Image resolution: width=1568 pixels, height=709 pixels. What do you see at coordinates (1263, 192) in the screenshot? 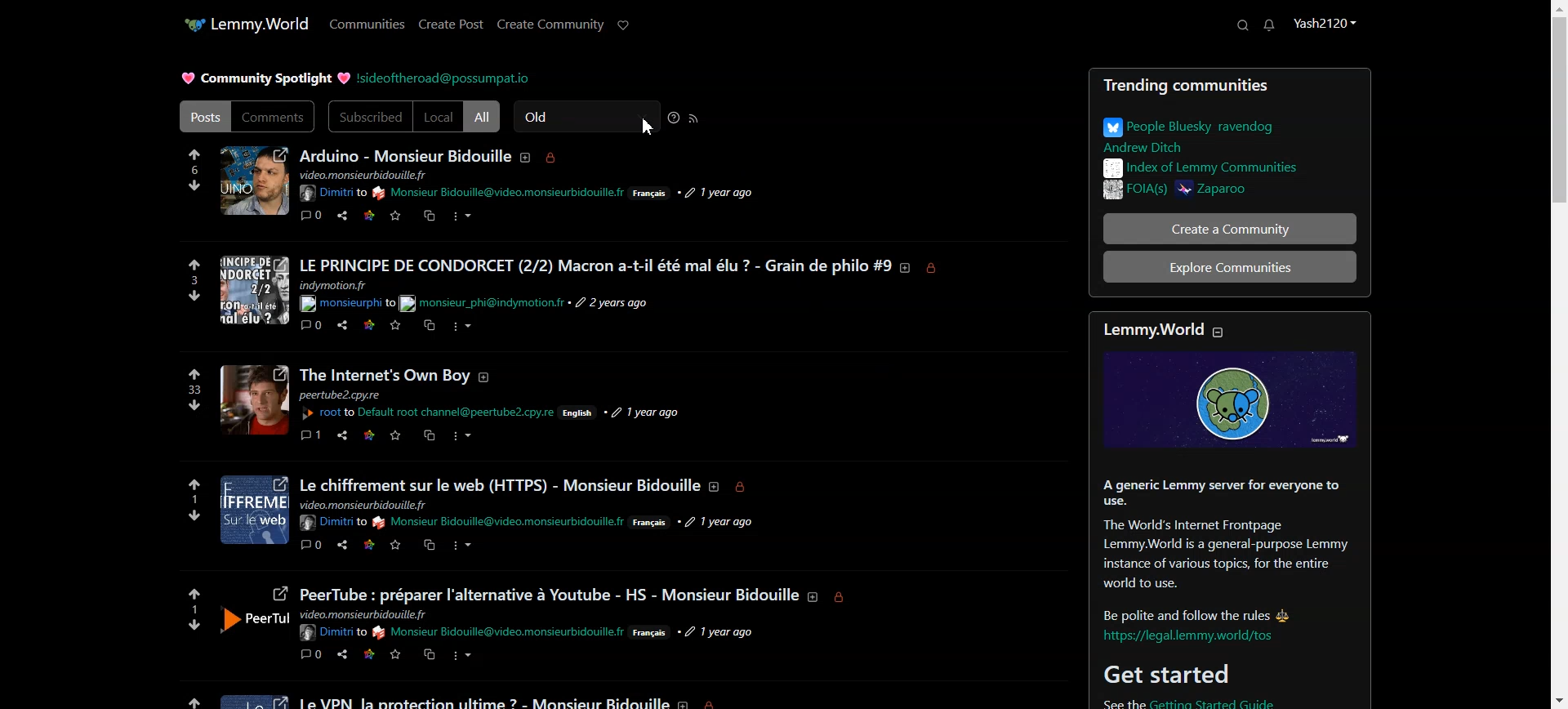
I see `Zaparoo` at bounding box center [1263, 192].